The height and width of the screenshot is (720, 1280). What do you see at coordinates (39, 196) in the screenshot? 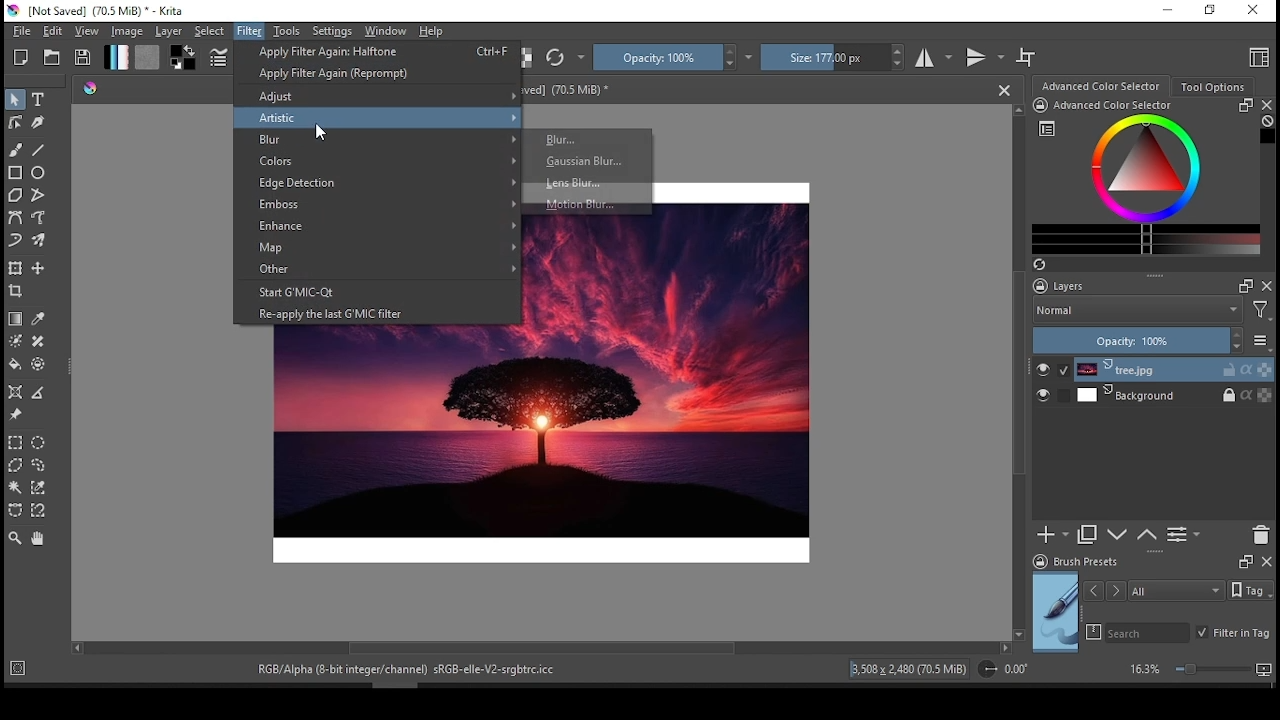
I see `polyline tool` at bounding box center [39, 196].